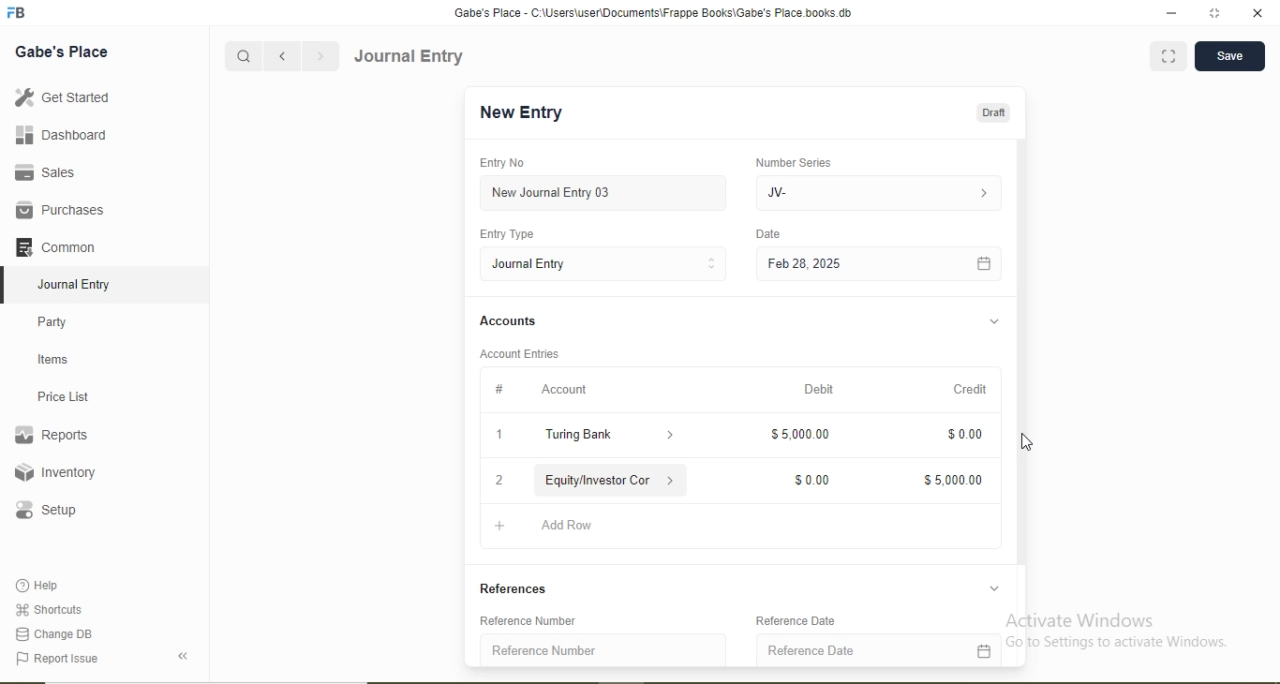  Describe the element at coordinates (62, 397) in the screenshot. I see `Price List` at that location.